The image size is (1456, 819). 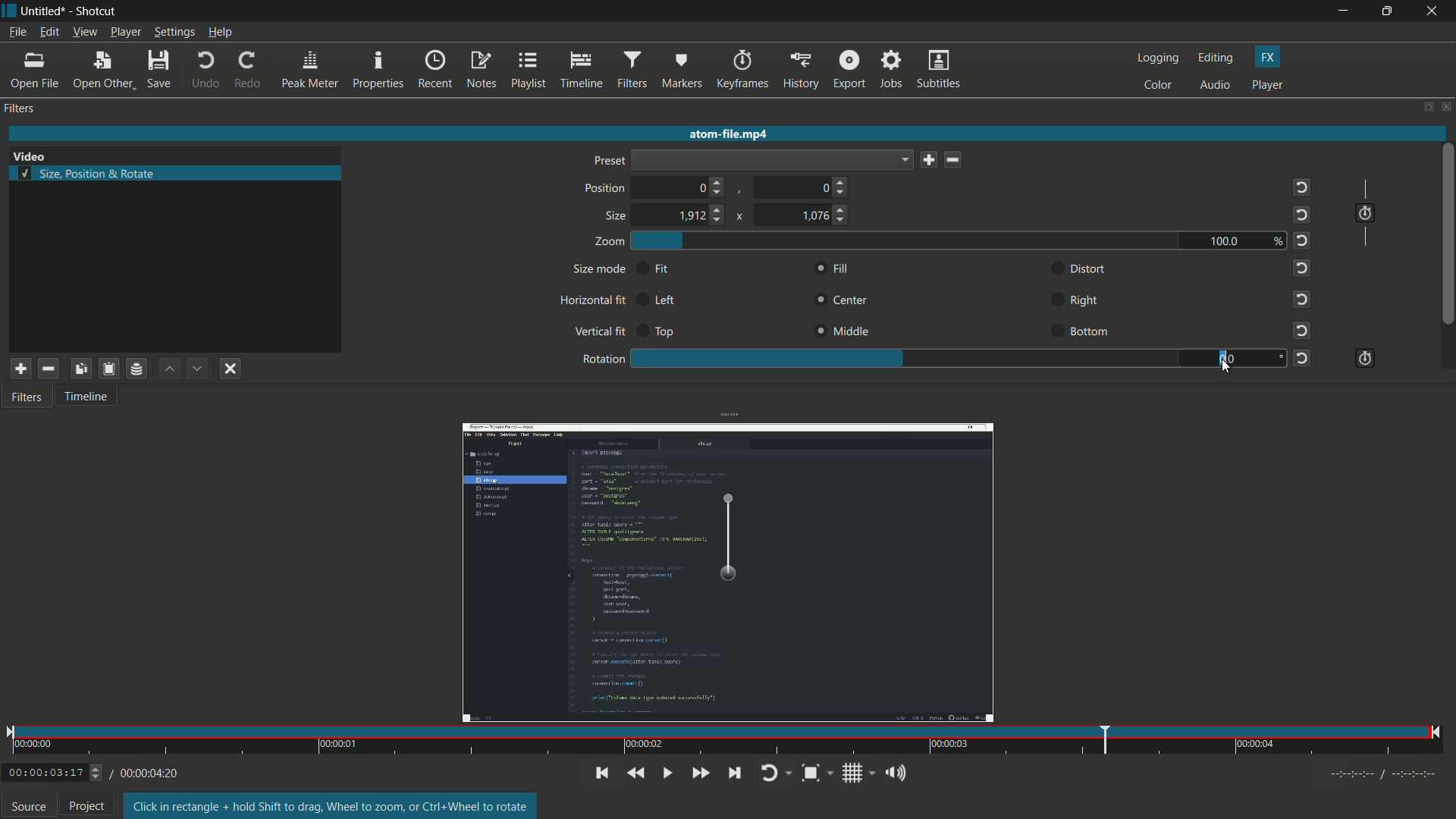 What do you see at coordinates (741, 71) in the screenshot?
I see `keyframes` at bounding box center [741, 71].